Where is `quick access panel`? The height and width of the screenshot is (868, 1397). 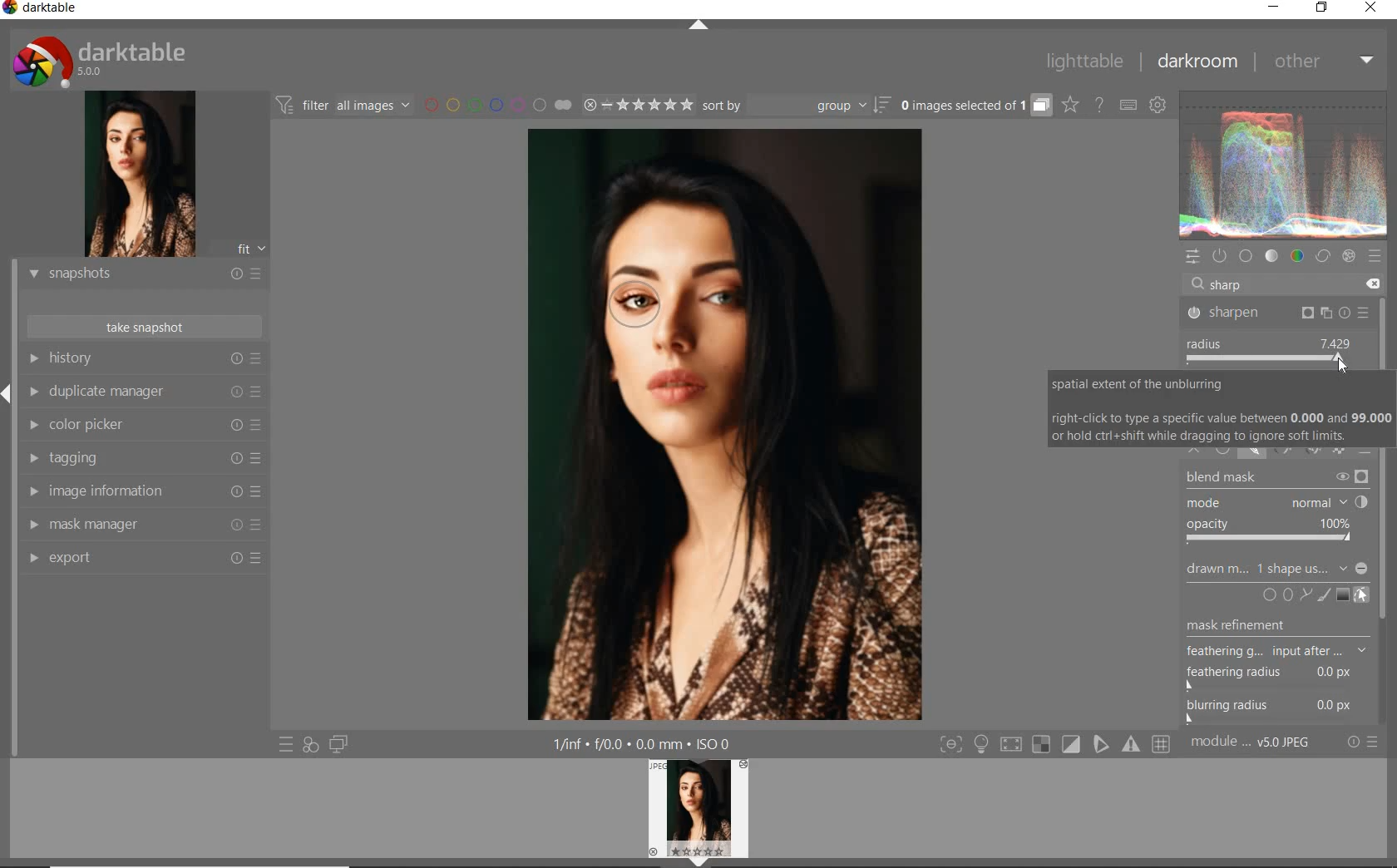
quick access panel is located at coordinates (1195, 259).